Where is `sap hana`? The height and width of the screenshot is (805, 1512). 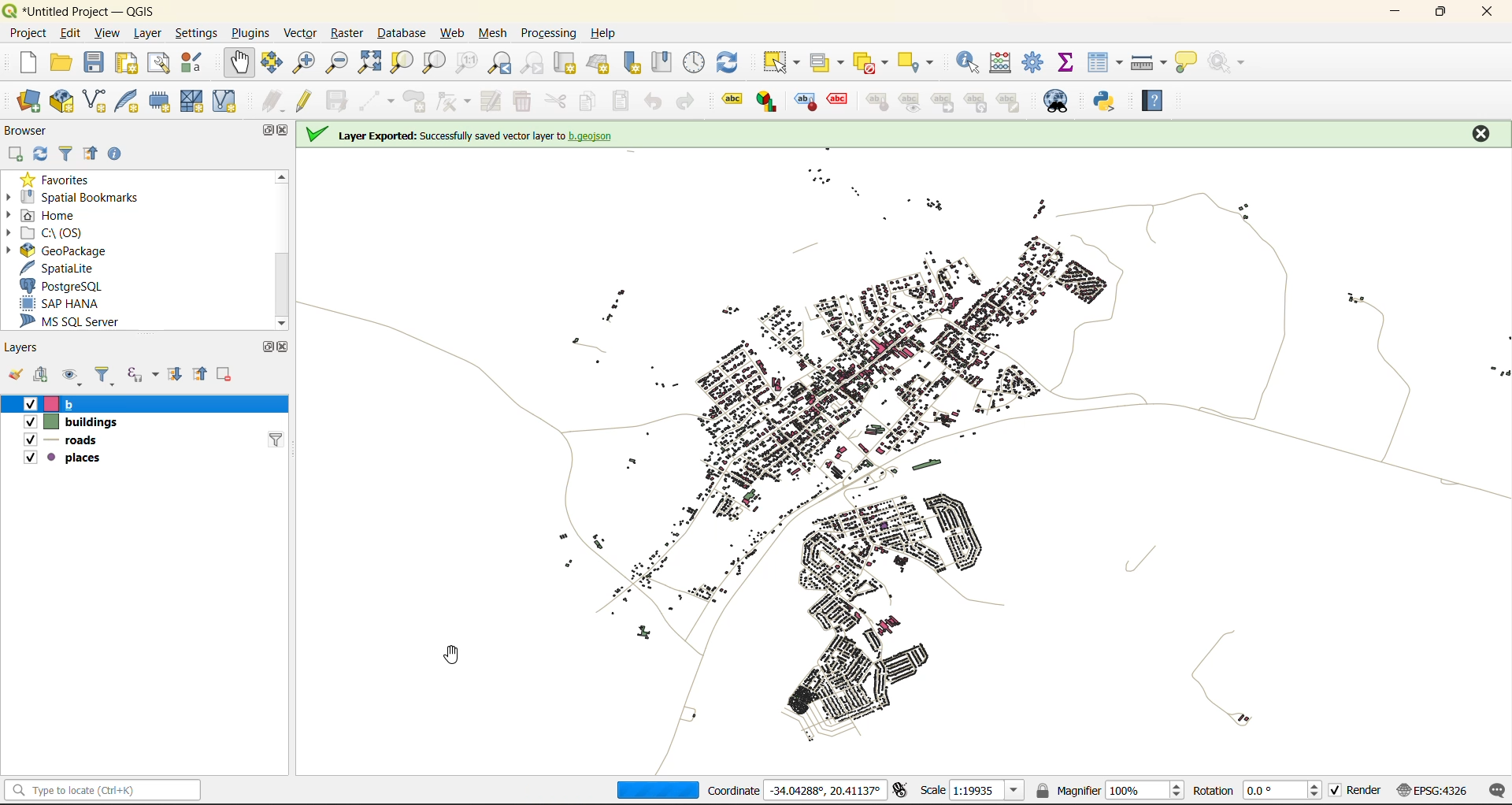
sap hana is located at coordinates (79, 304).